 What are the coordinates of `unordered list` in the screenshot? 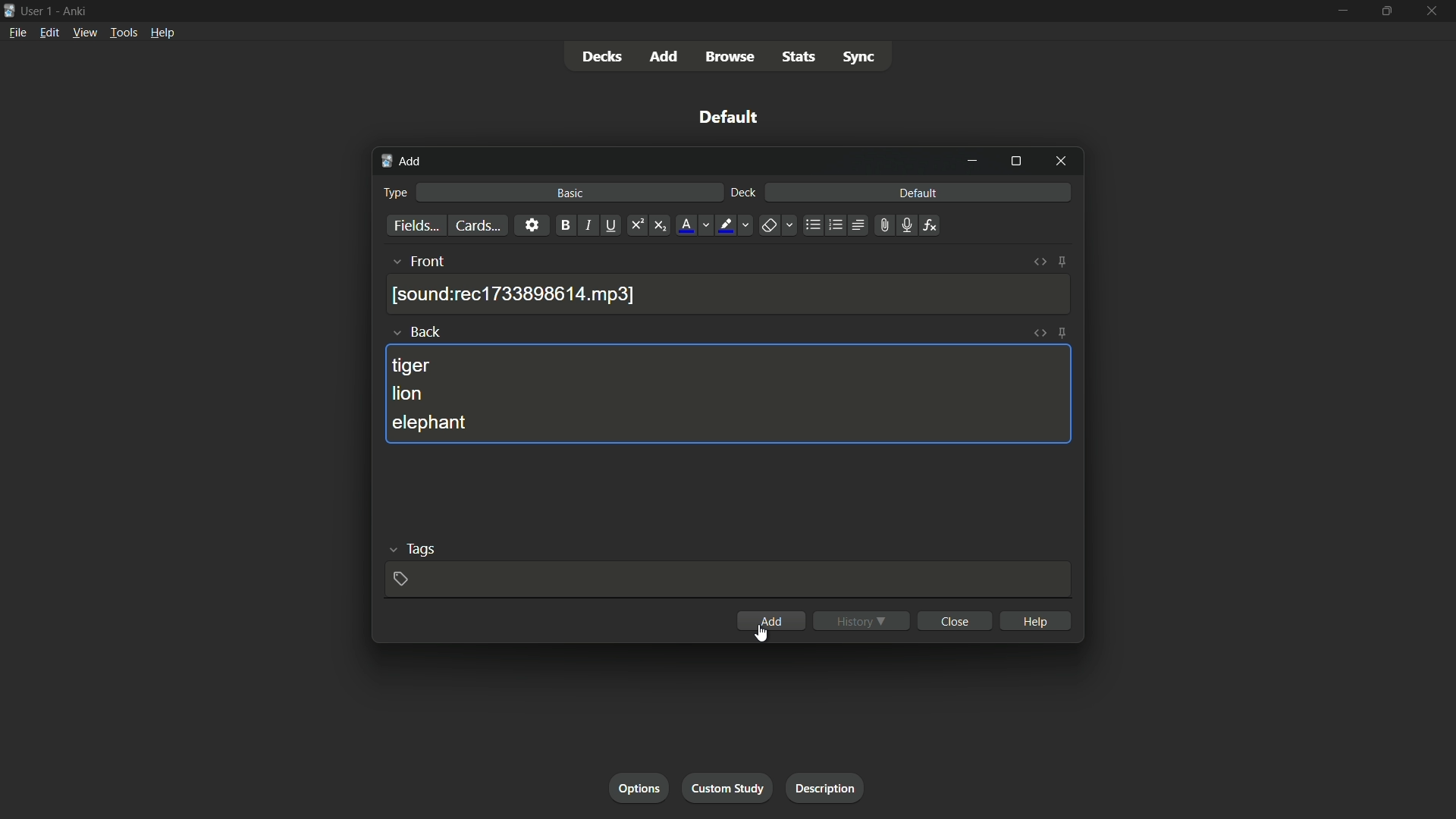 It's located at (812, 225).